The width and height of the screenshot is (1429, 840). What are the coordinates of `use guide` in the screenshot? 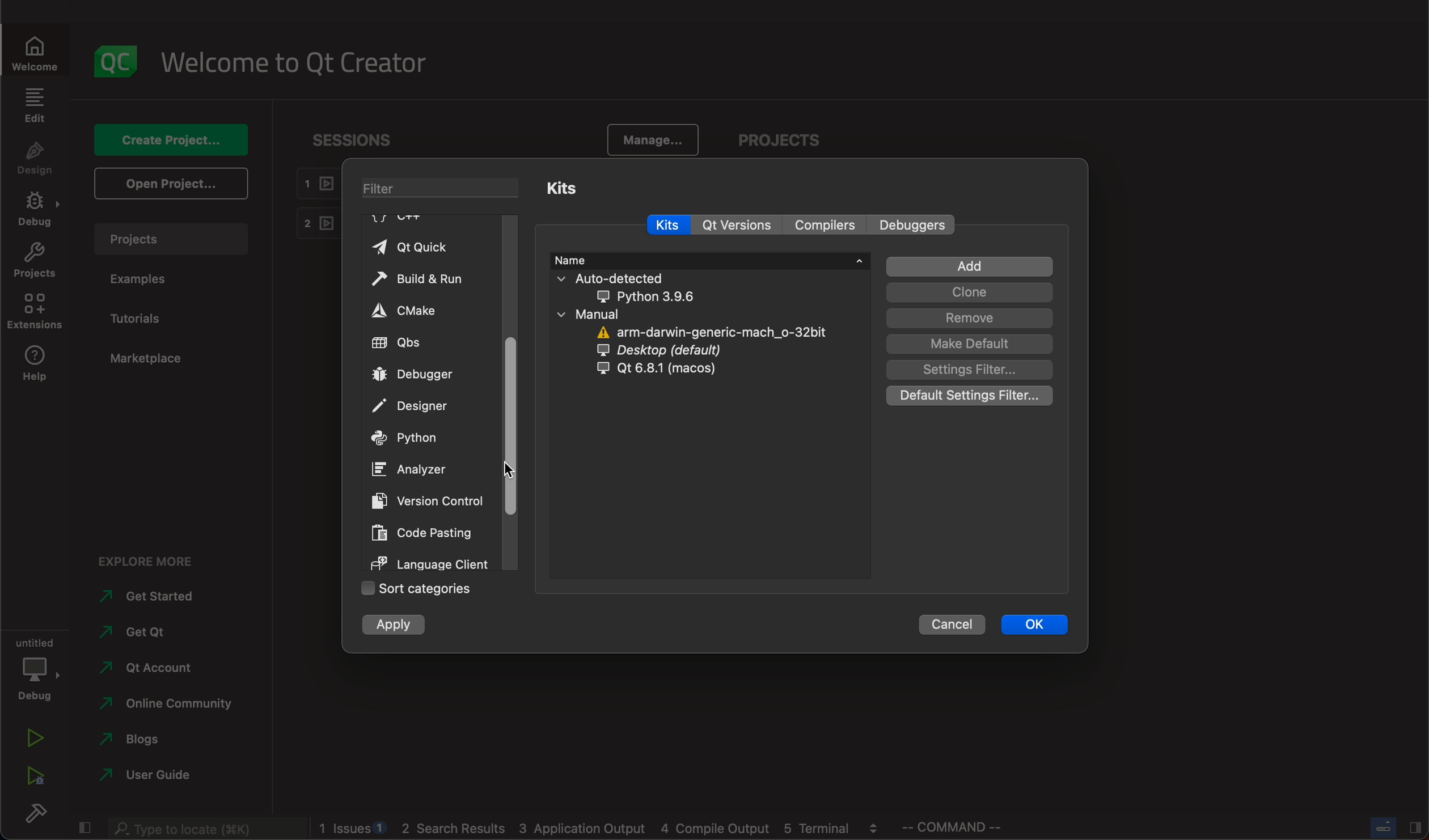 It's located at (148, 776).